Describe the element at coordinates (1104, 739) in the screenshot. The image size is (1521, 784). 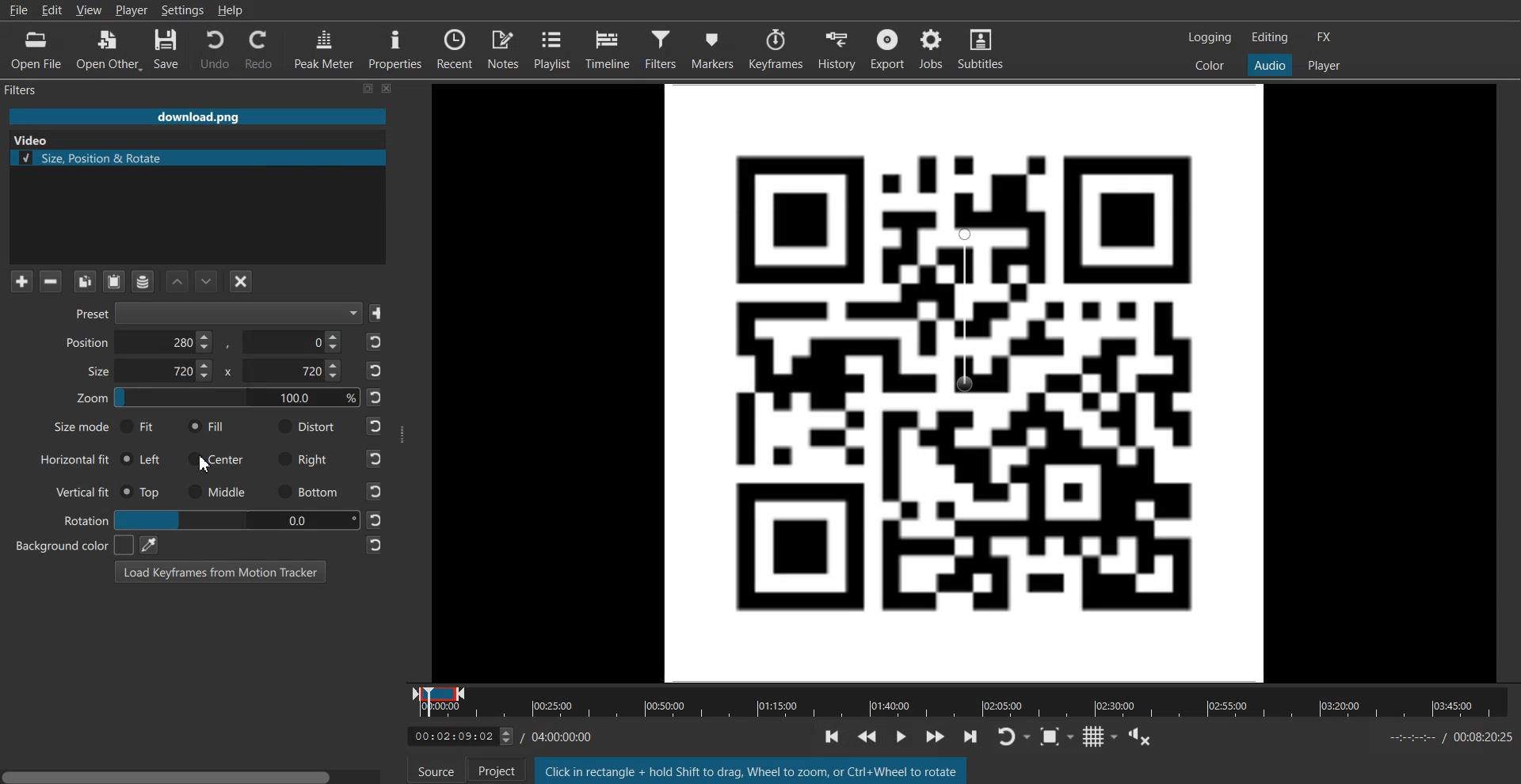
I see `Toggle grid display on the player` at that location.